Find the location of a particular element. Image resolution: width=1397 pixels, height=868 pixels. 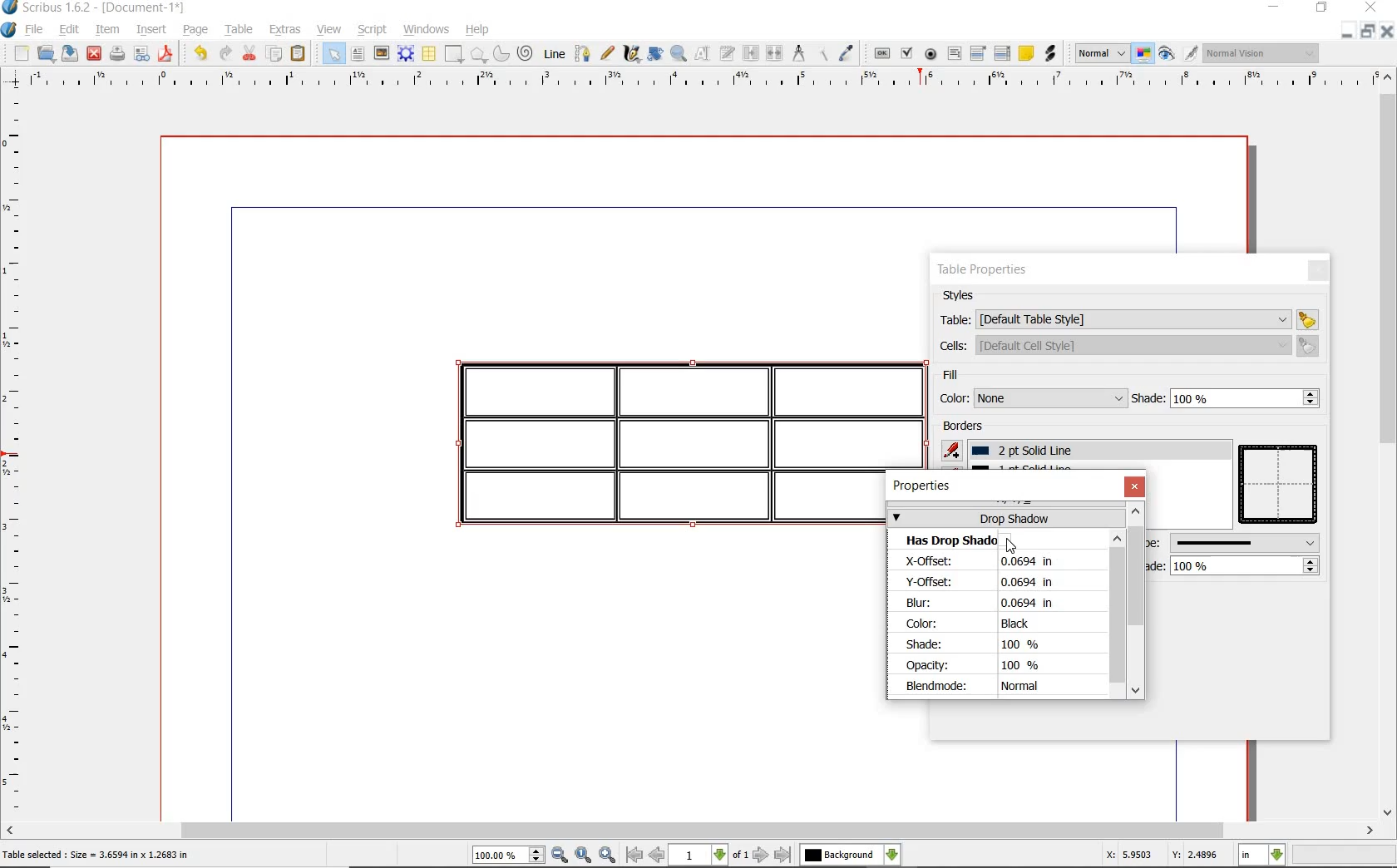

windows is located at coordinates (427, 29).